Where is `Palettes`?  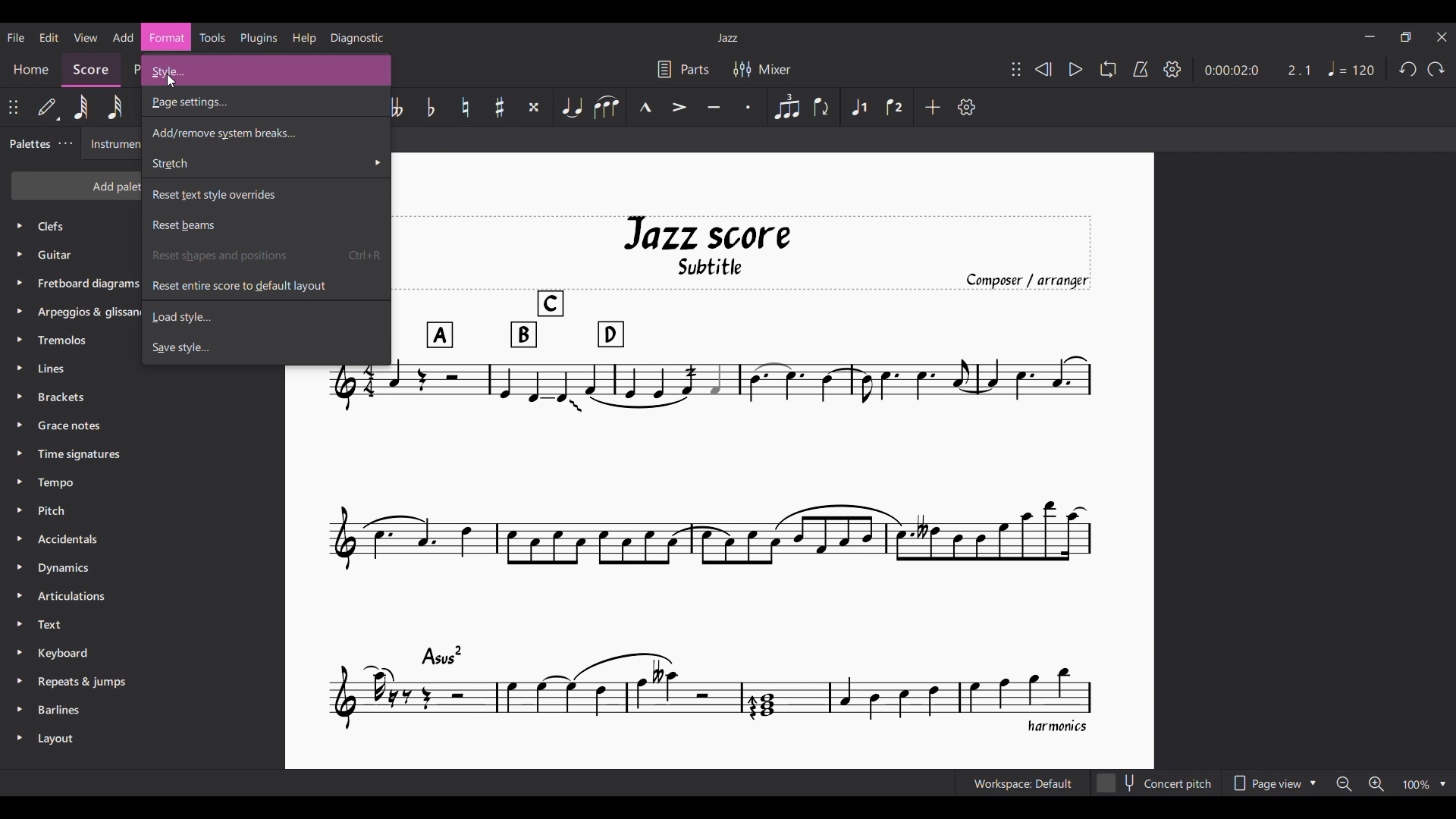
Palettes is located at coordinates (31, 144).